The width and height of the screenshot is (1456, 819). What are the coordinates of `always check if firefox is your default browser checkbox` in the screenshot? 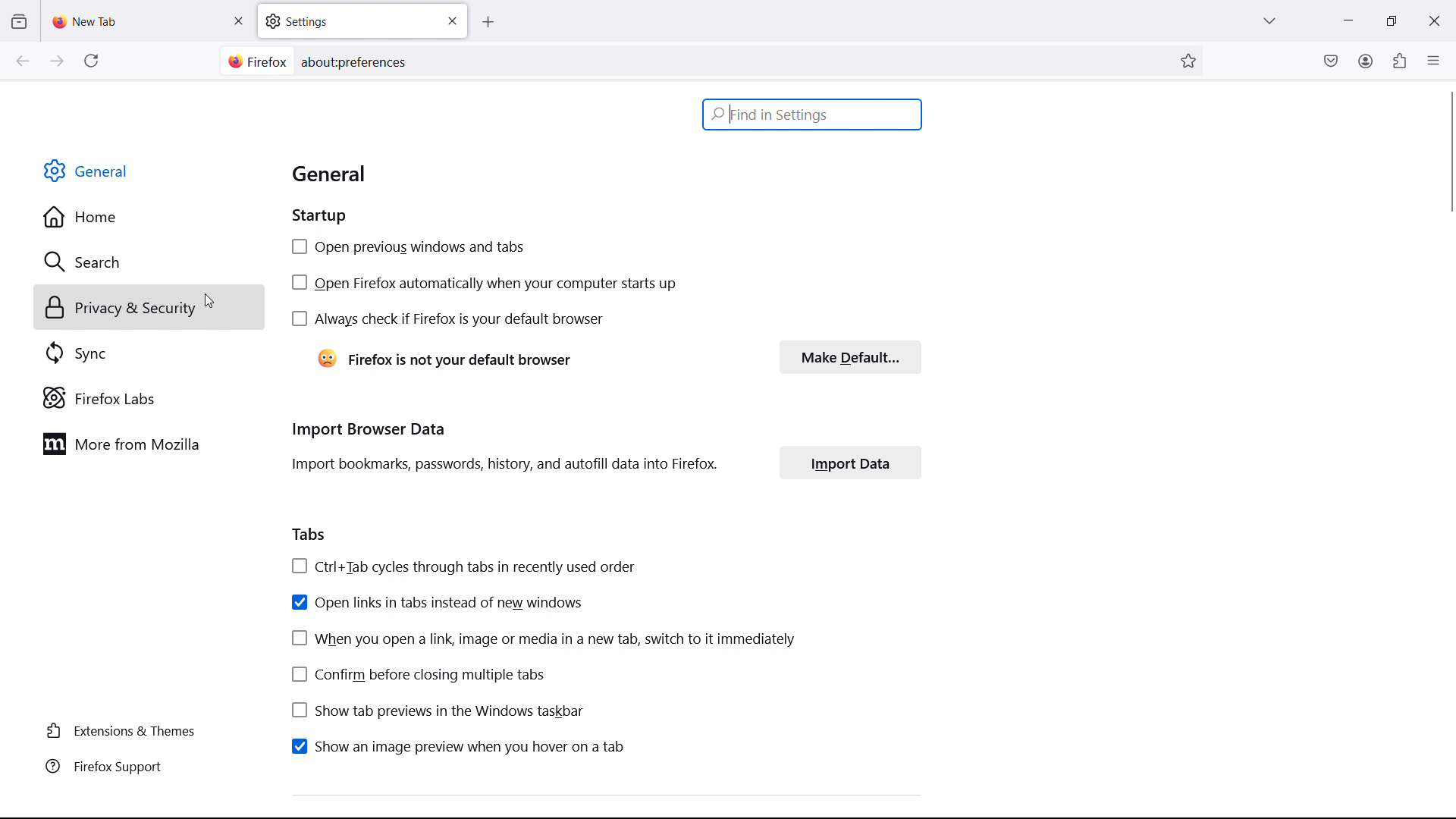 It's located at (448, 319).